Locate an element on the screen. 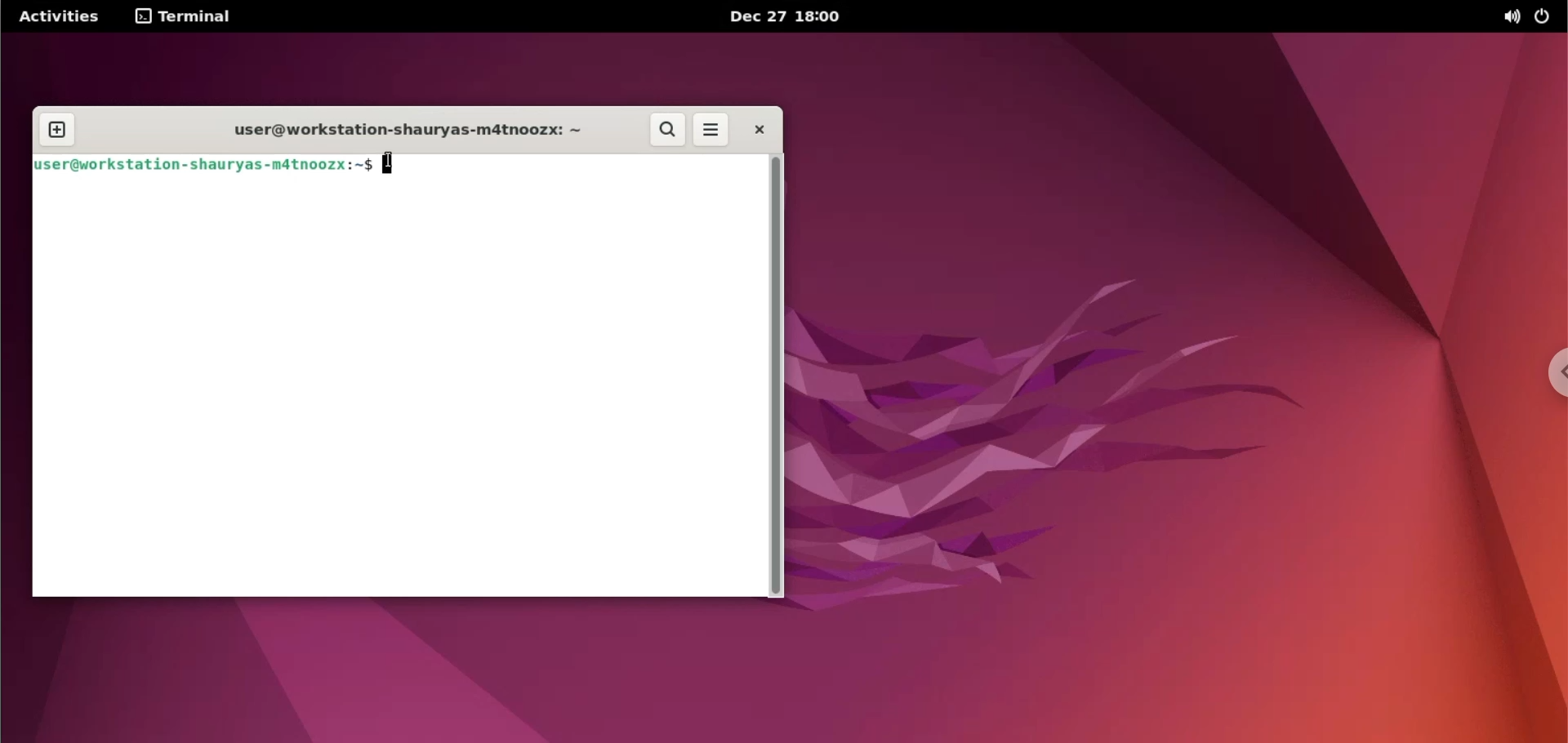 Image resolution: width=1568 pixels, height=743 pixels. power options is located at coordinates (1542, 19).